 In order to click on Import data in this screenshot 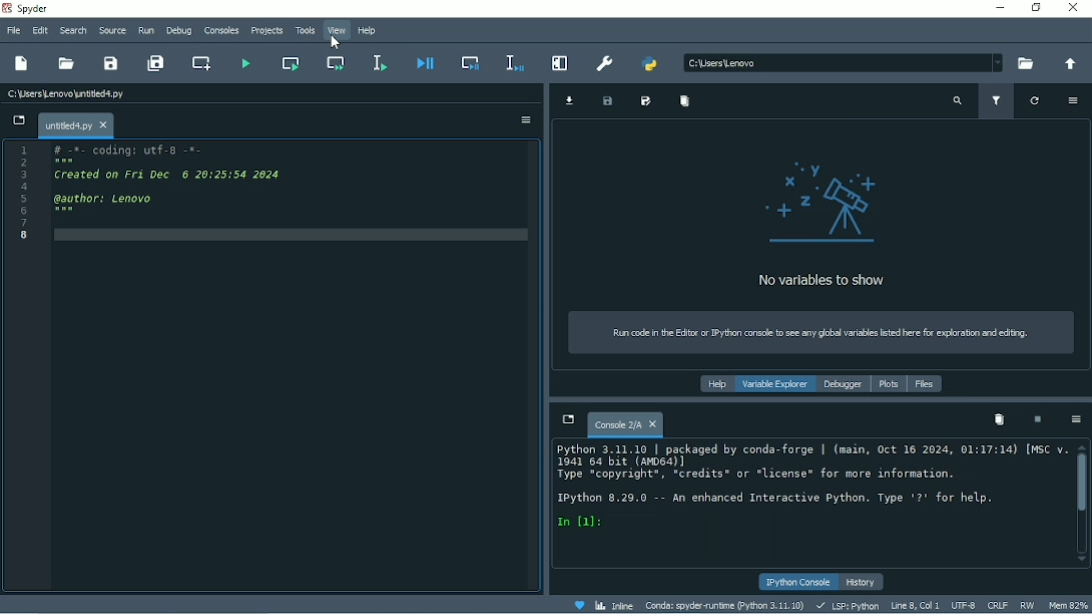, I will do `click(572, 101)`.